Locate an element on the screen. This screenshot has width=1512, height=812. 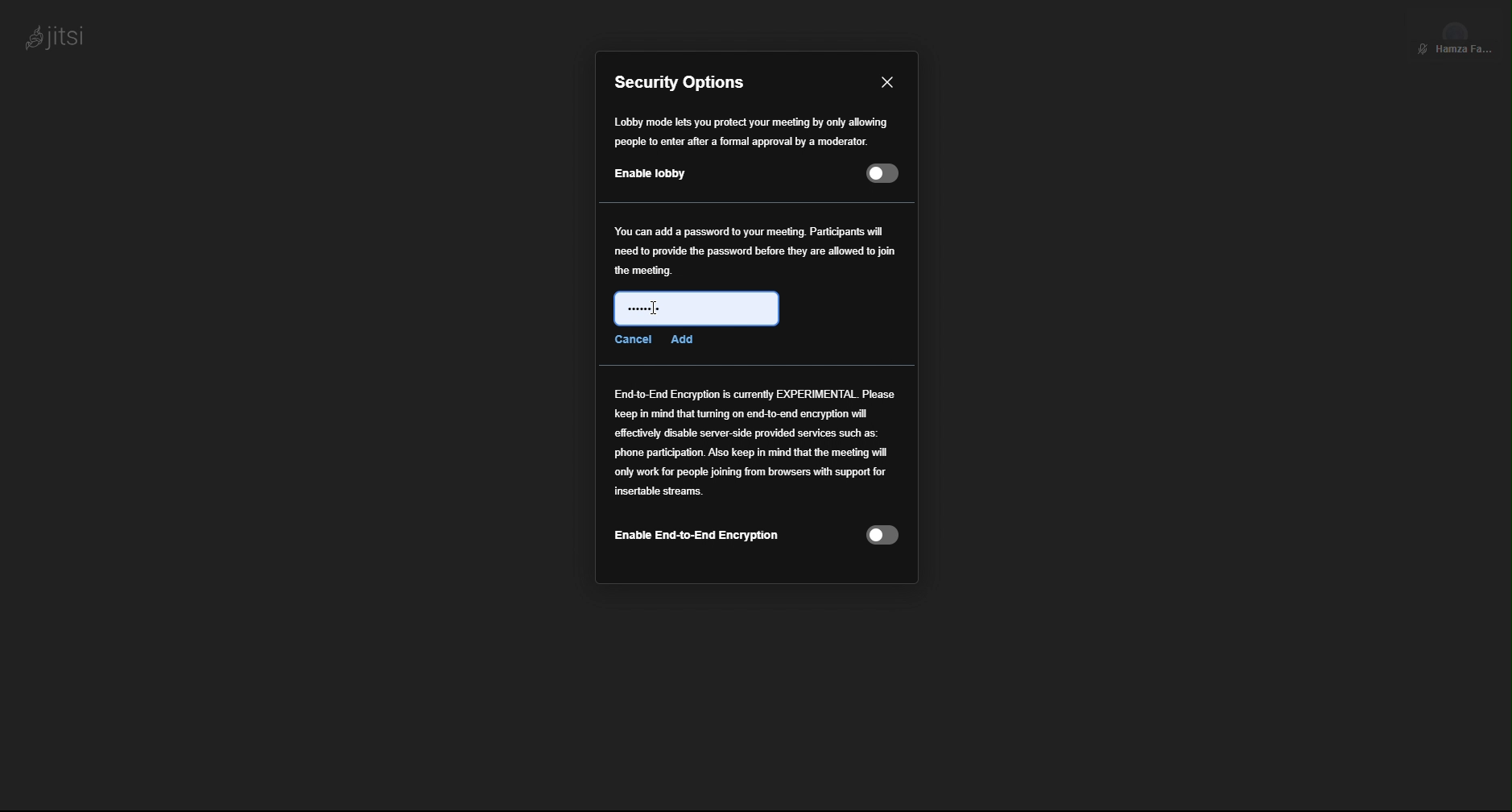
Add is located at coordinates (684, 340).